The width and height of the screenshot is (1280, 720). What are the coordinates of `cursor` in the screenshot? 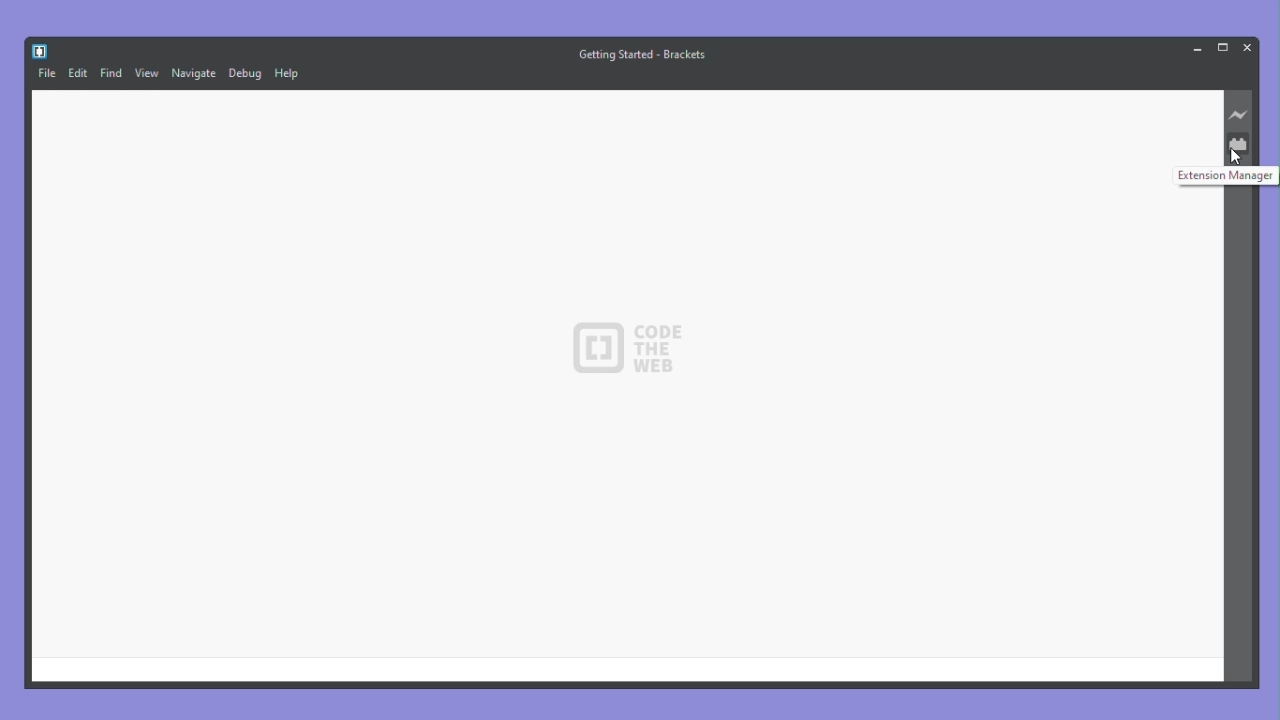 It's located at (1240, 158).